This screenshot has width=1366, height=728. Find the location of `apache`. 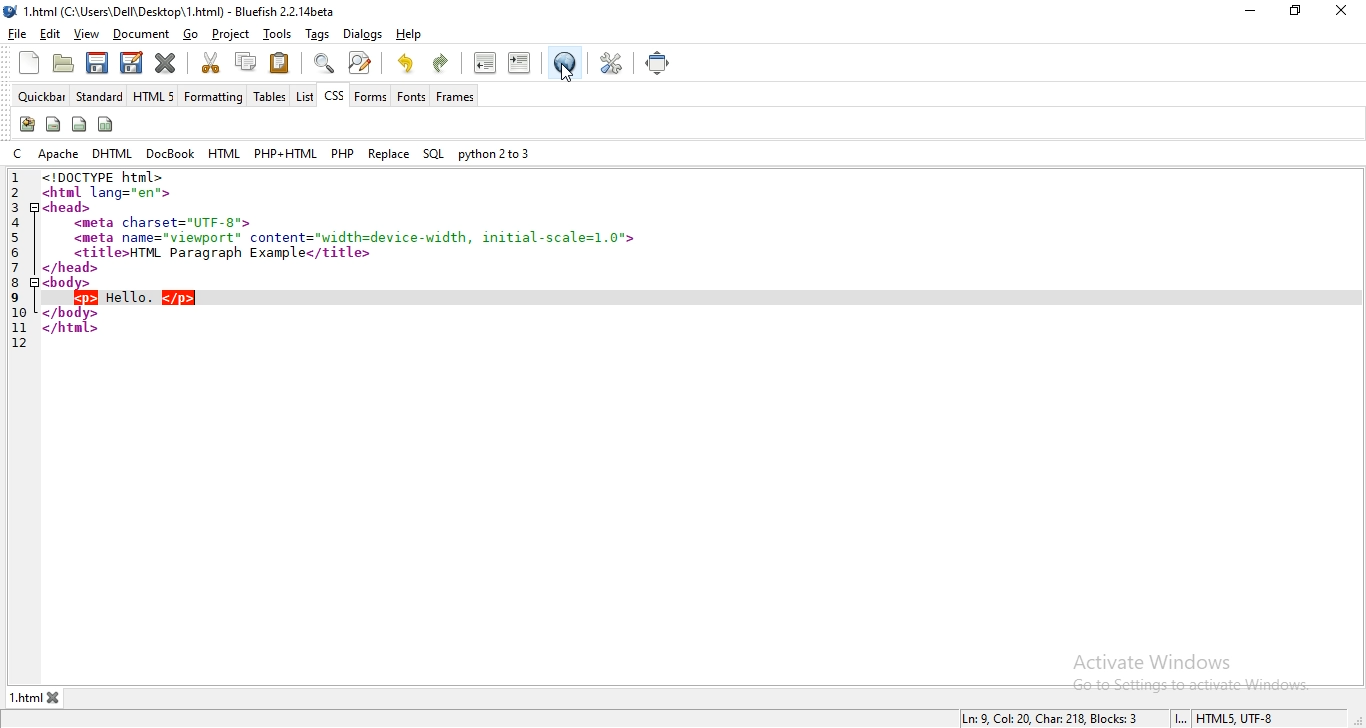

apache is located at coordinates (58, 153).